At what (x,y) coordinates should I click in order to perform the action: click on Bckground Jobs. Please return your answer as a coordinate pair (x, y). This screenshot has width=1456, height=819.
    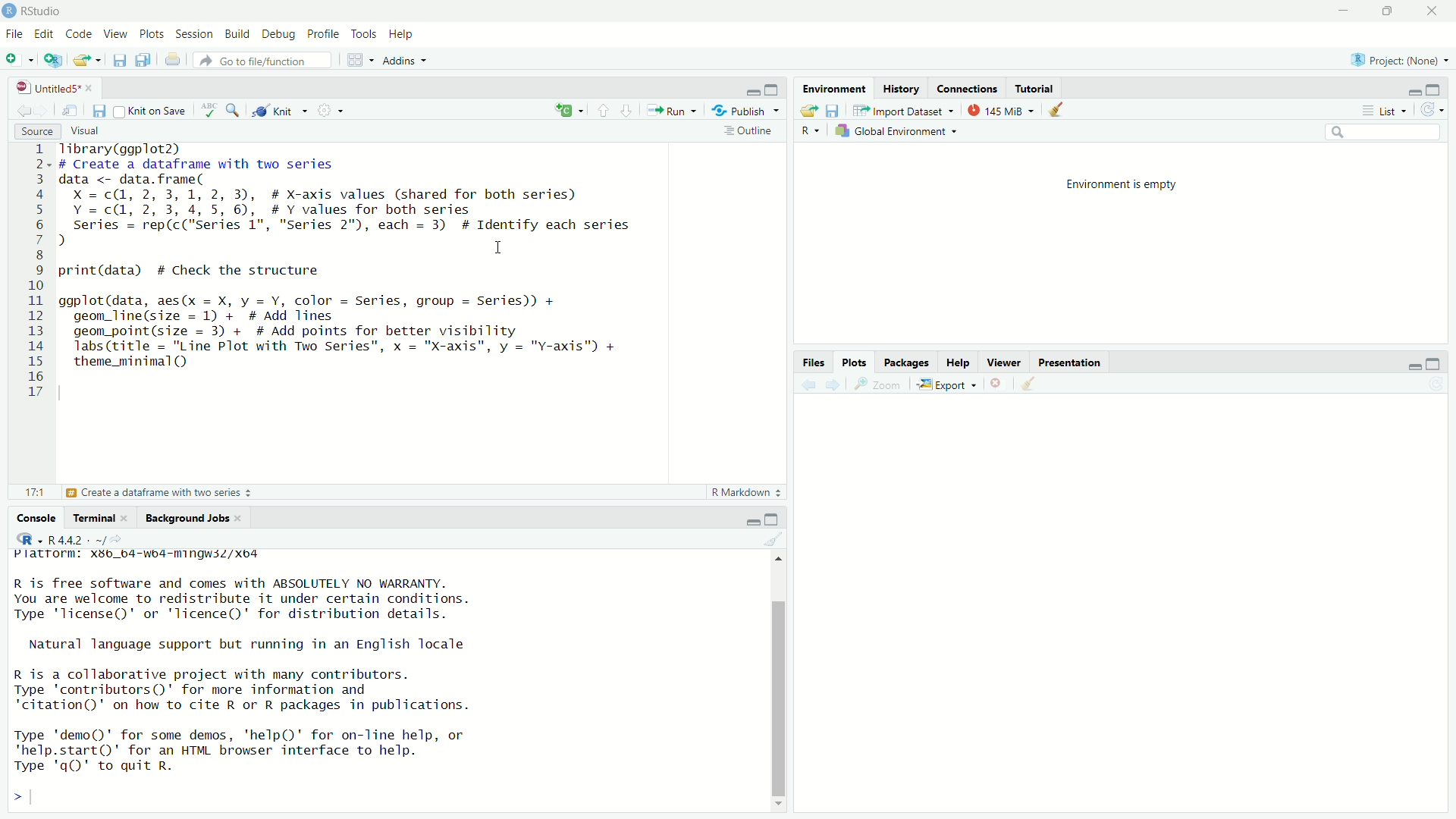
    Looking at the image, I should click on (192, 516).